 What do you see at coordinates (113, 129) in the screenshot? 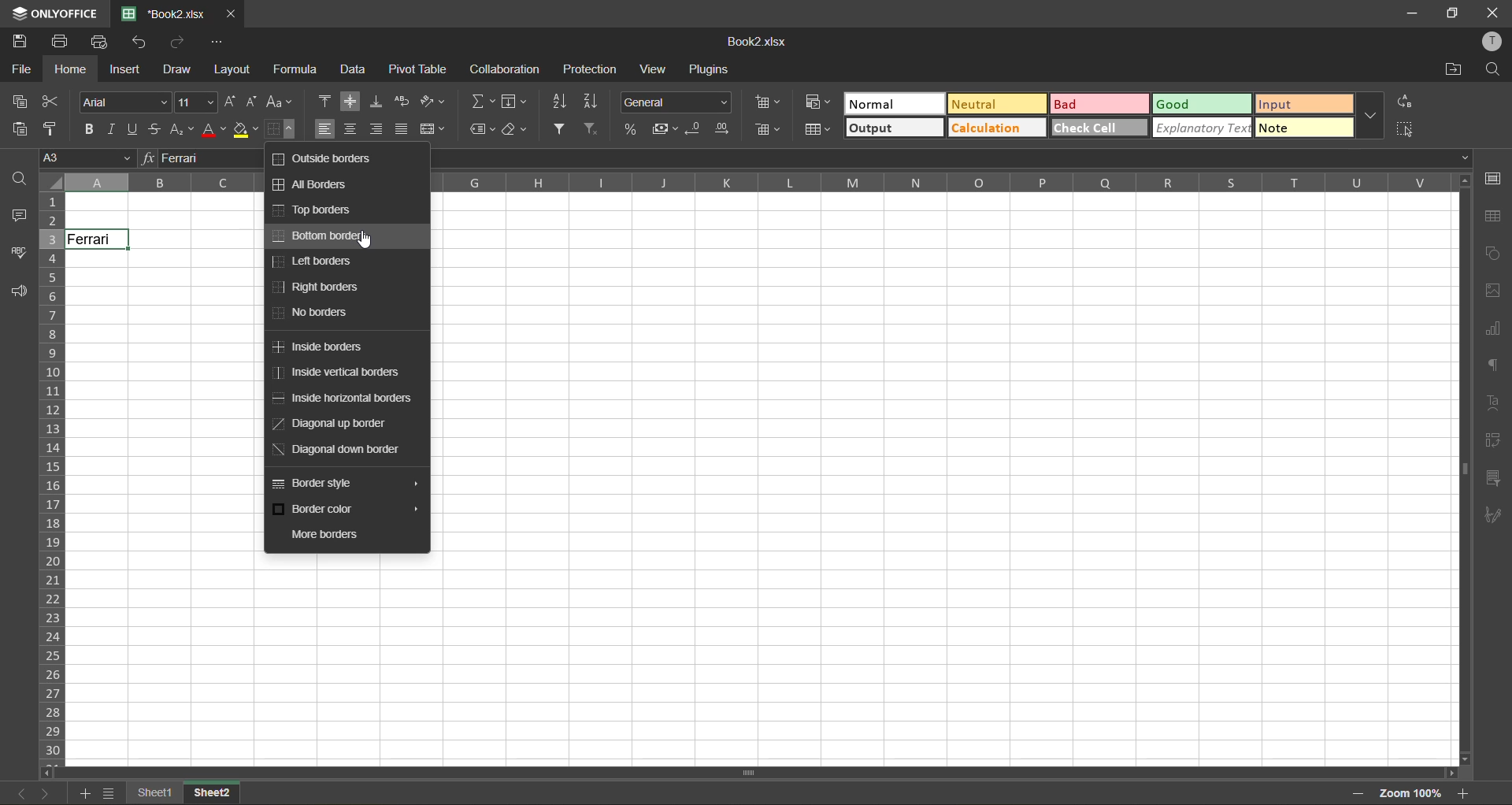
I see `italic` at bounding box center [113, 129].